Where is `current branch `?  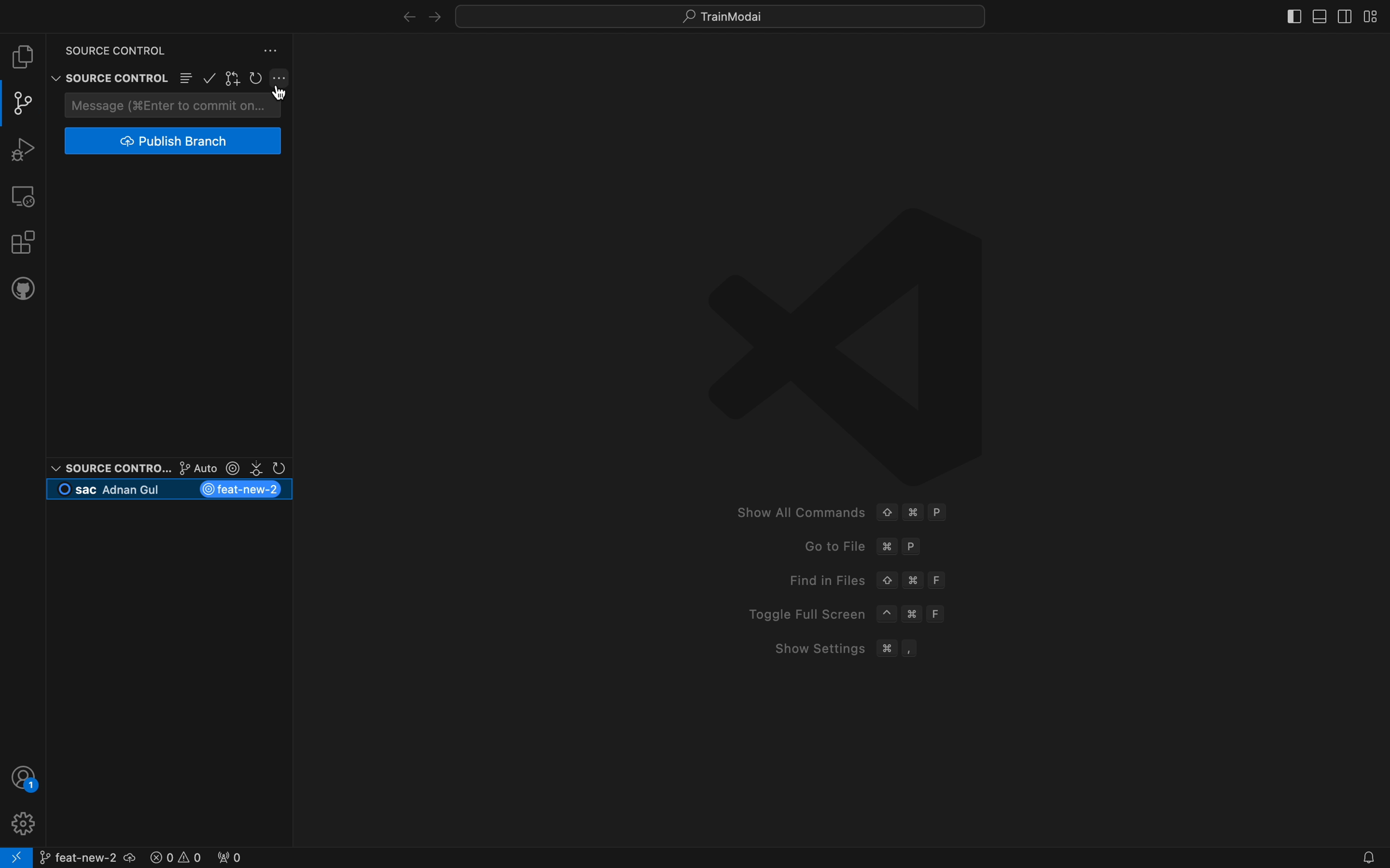 current branch  is located at coordinates (171, 490).